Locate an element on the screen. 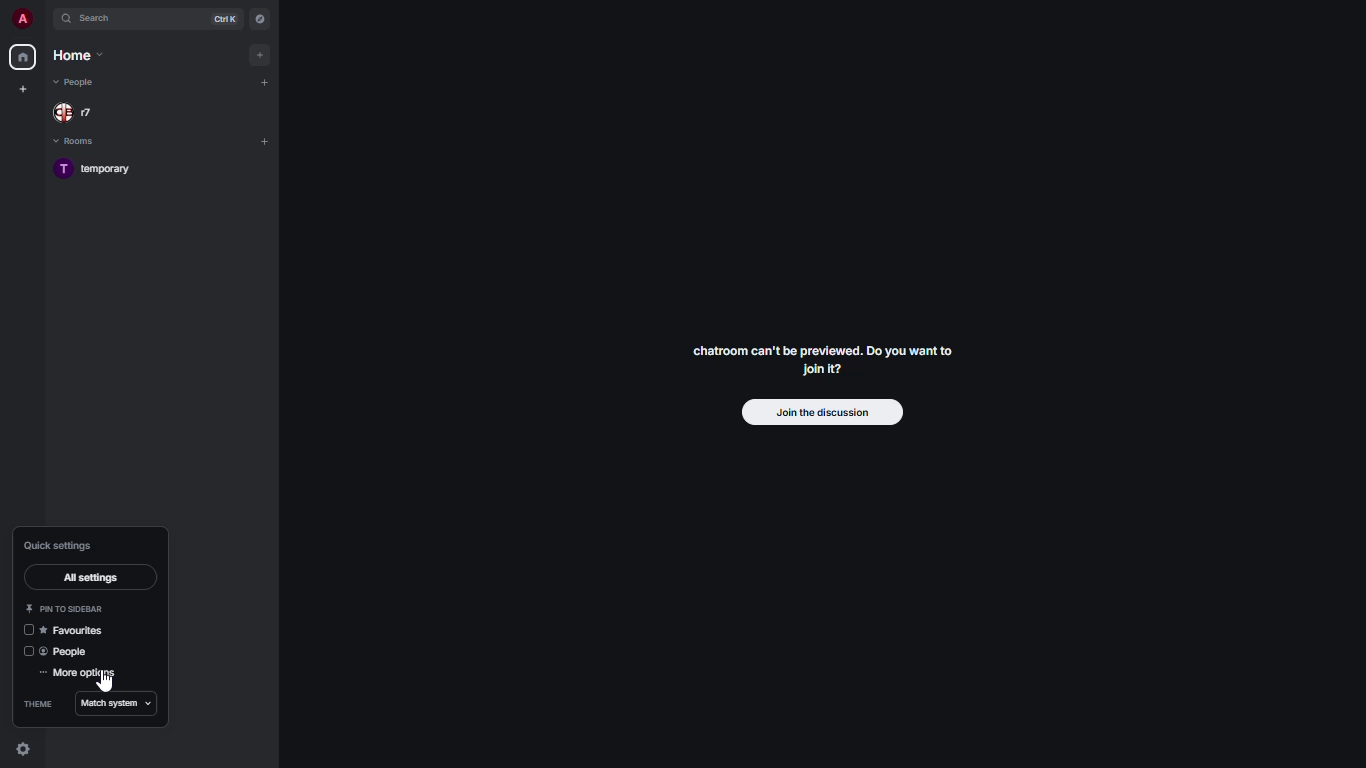 This screenshot has width=1366, height=768. profile is located at coordinates (22, 18).